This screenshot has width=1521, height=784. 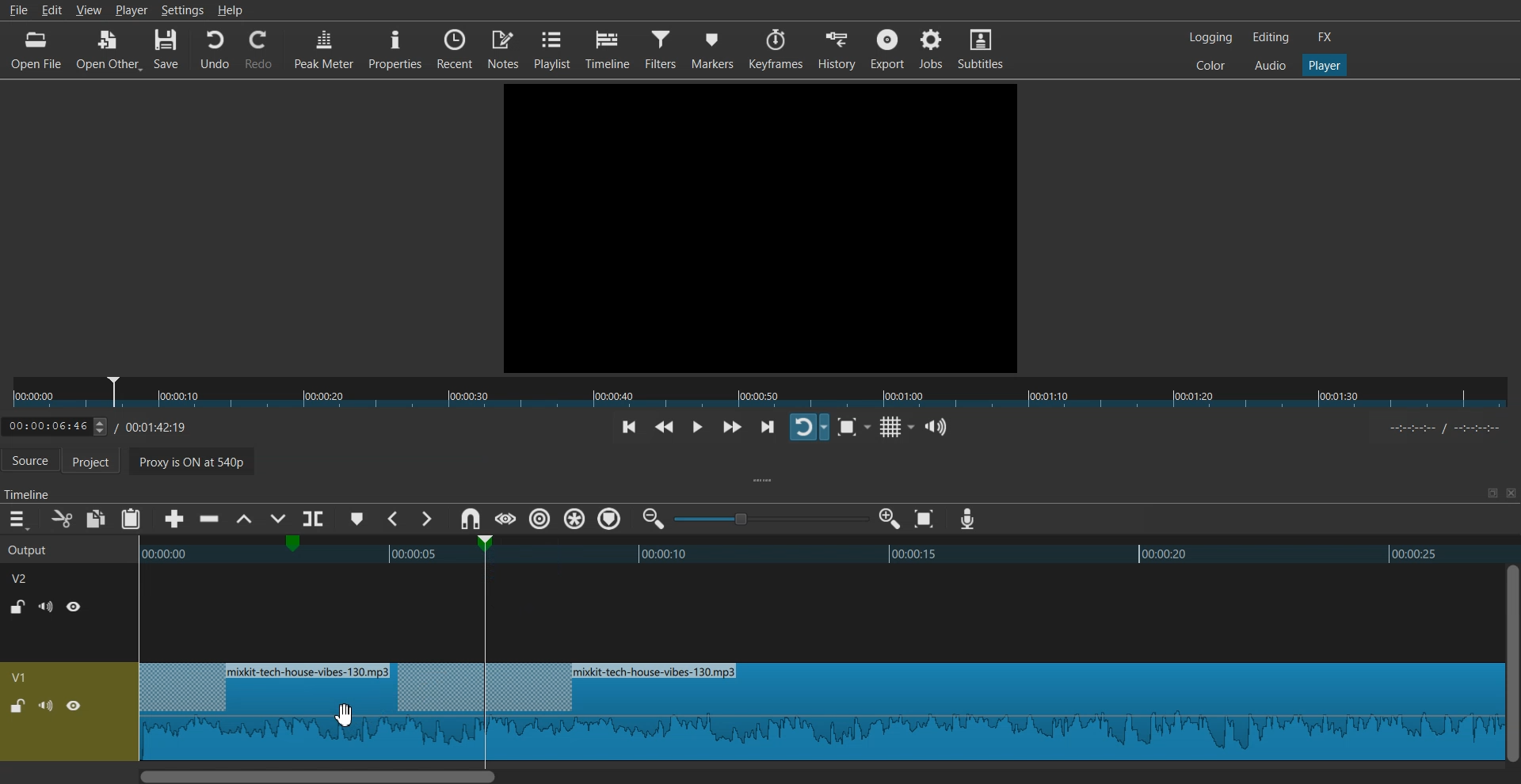 What do you see at coordinates (131, 519) in the screenshot?
I see `Paste` at bounding box center [131, 519].